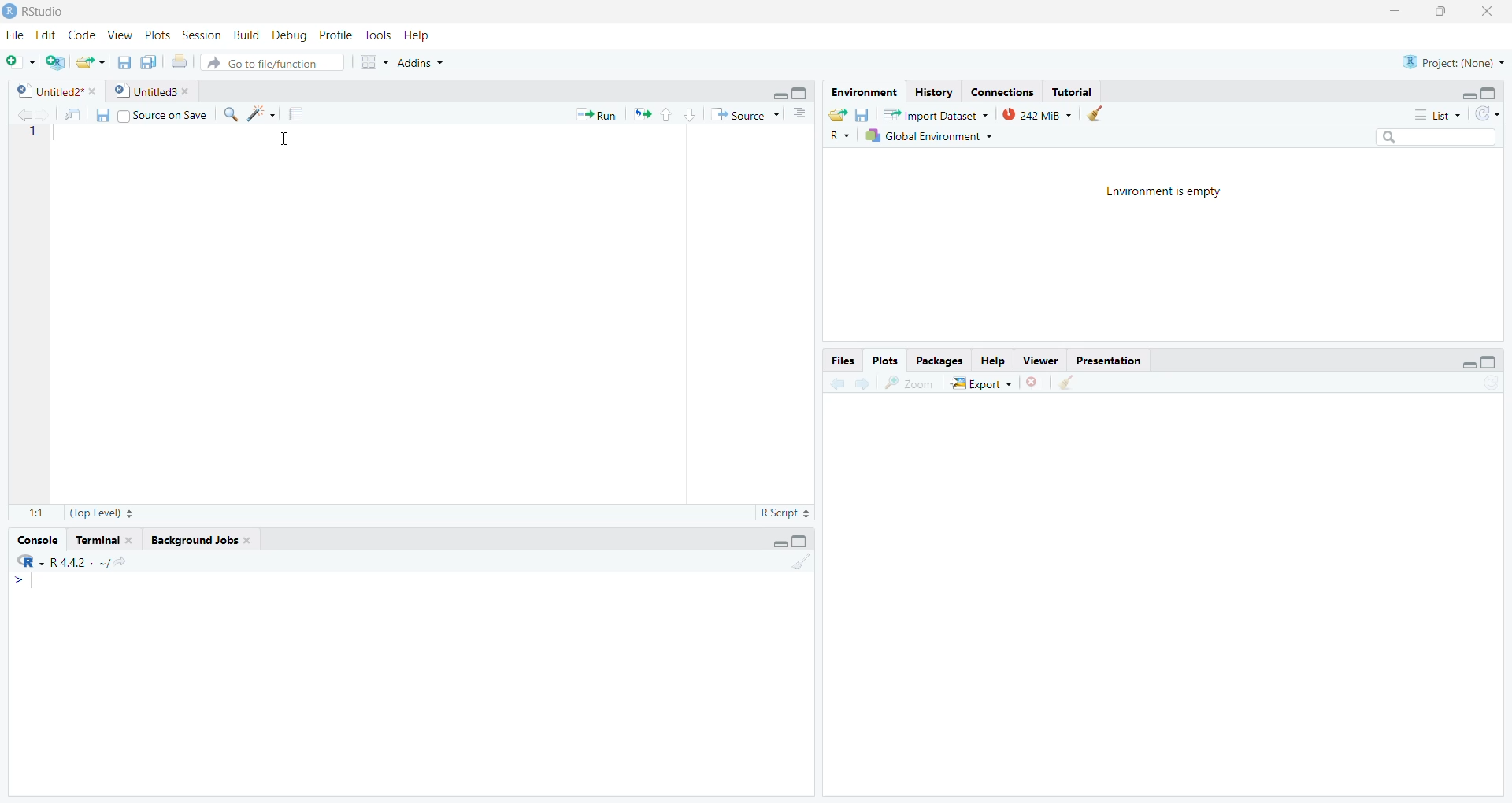 The width and height of the screenshot is (1512, 803). I want to click on minimize, so click(1468, 364).